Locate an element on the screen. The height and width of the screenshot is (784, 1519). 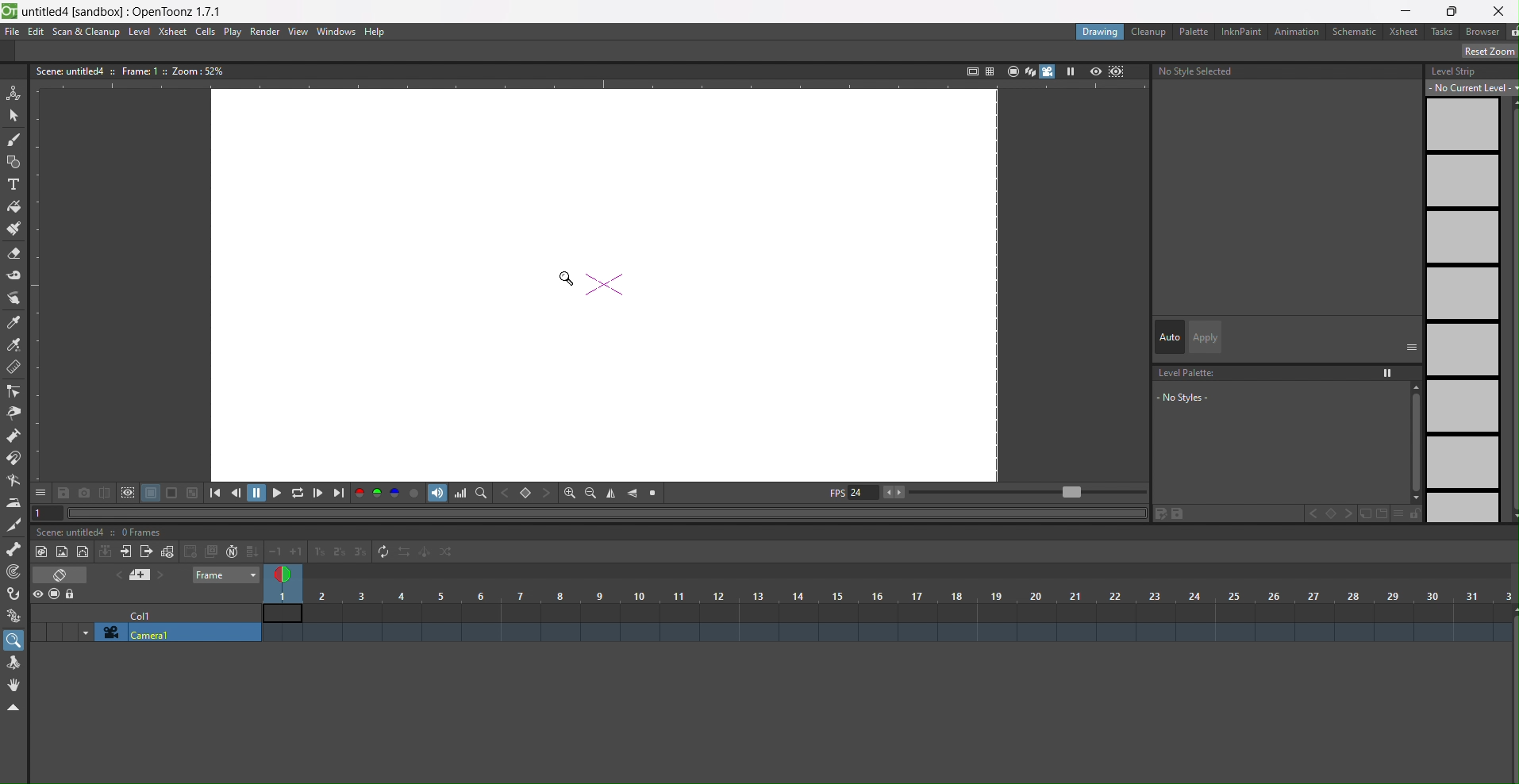
magnet tool is located at coordinates (15, 459).